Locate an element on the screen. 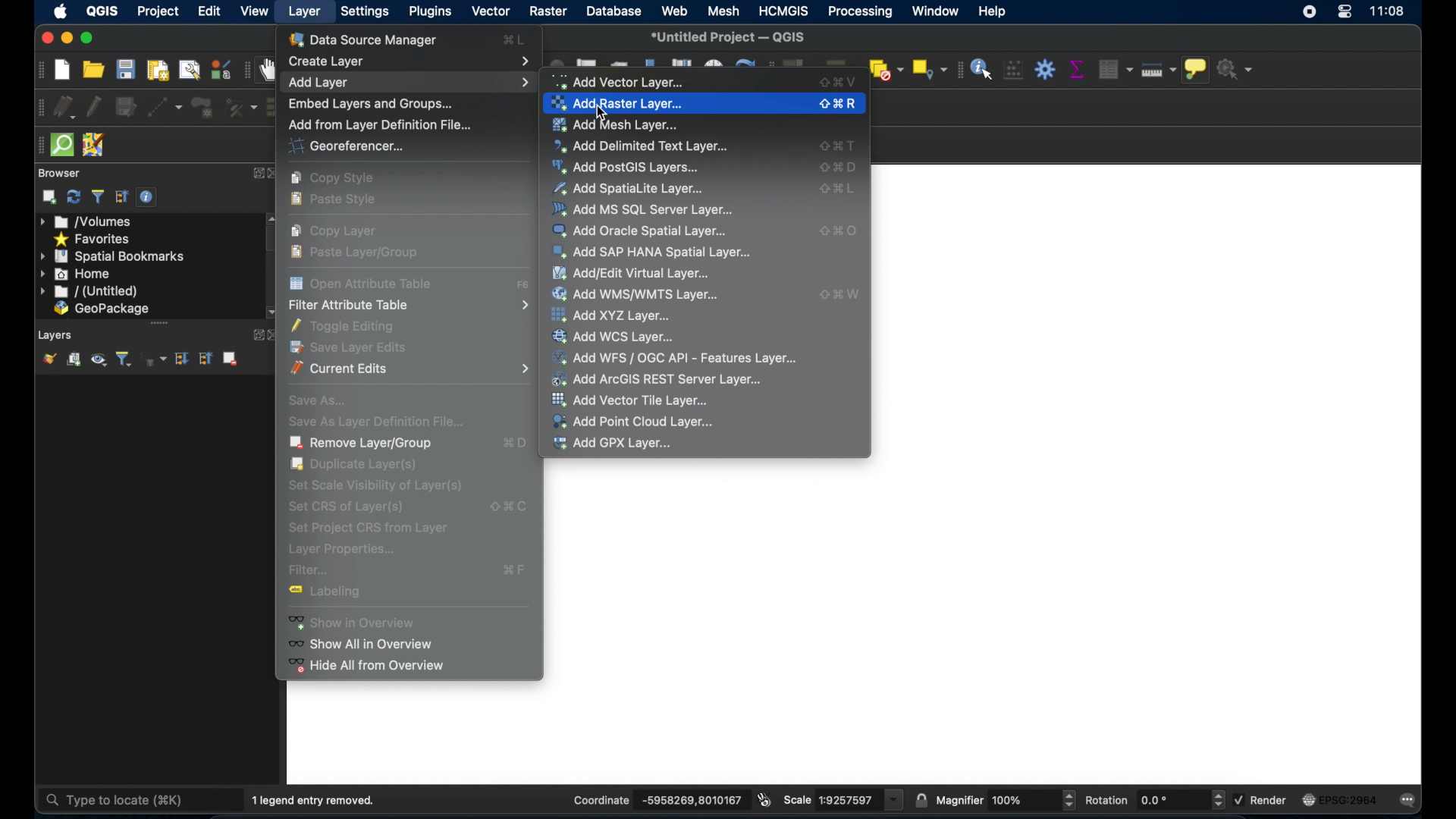 The image size is (1456, 819). labelling is located at coordinates (334, 594).